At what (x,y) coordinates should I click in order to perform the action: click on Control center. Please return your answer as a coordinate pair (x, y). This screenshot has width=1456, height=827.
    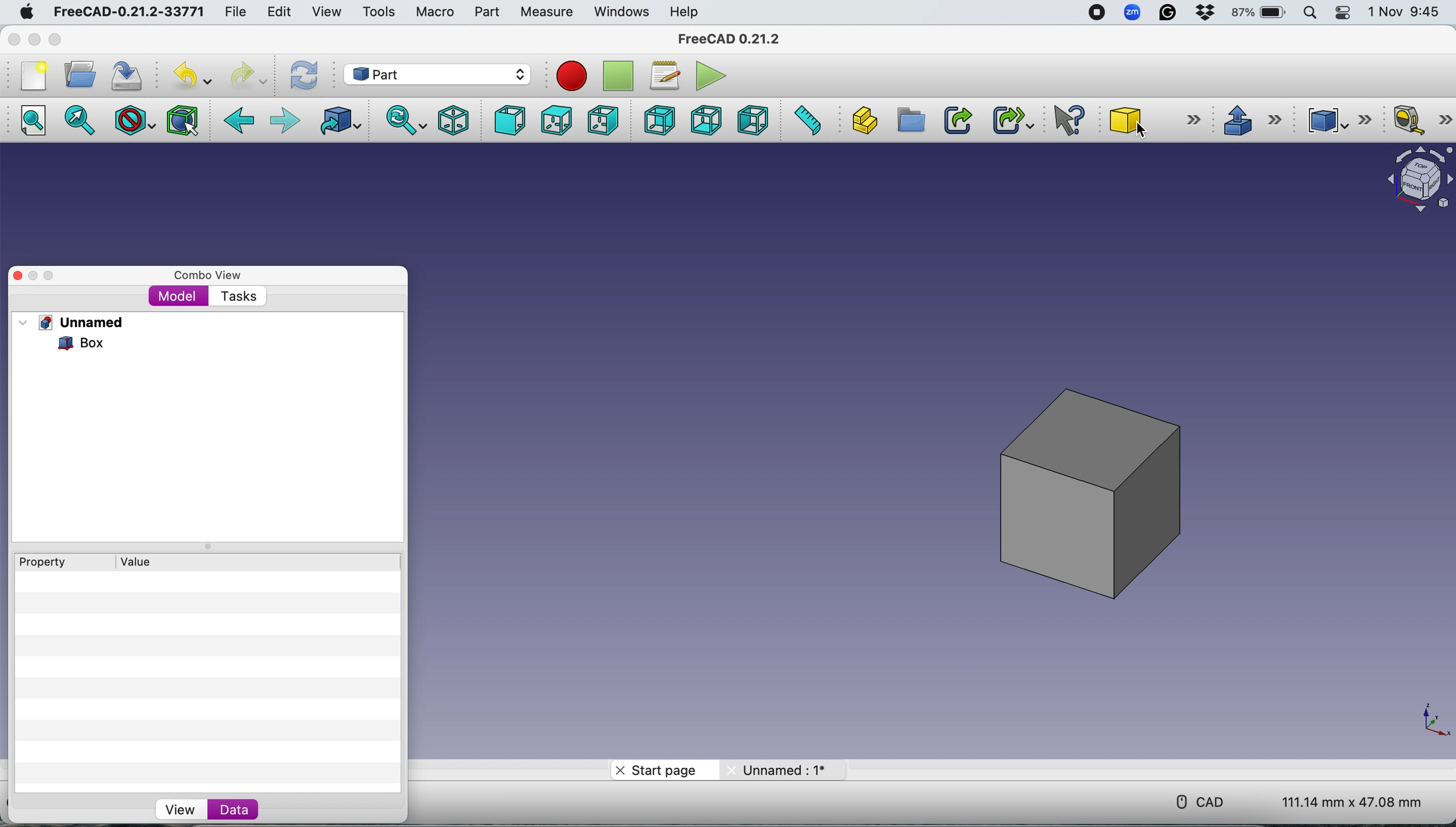
    Looking at the image, I should click on (1345, 13).